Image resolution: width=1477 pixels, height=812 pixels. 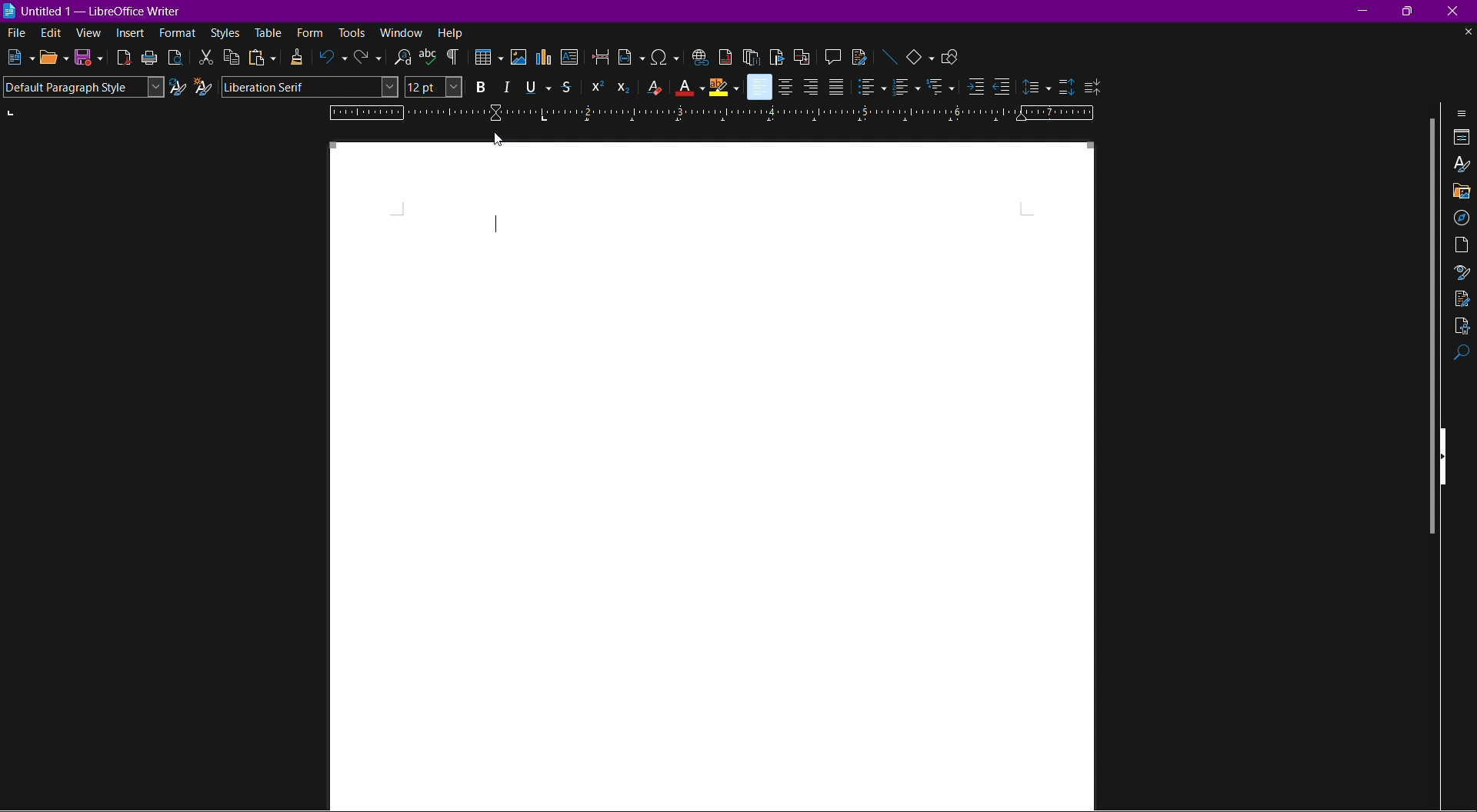 What do you see at coordinates (972, 88) in the screenshot?
I see `Increase Indent` at bounding box center [972, 88].